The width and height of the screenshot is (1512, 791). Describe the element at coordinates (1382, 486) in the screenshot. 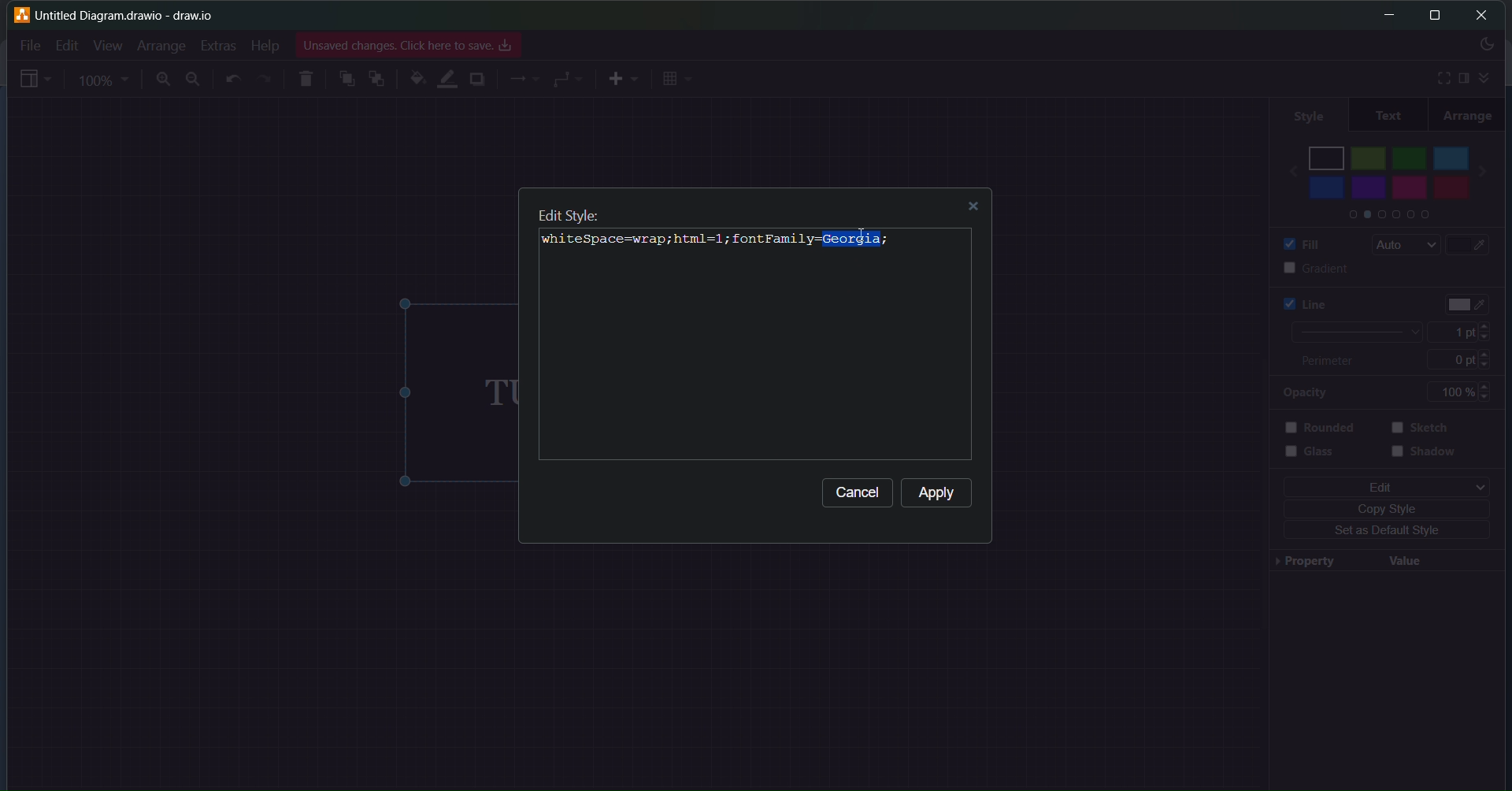

I see `edit` at that location.